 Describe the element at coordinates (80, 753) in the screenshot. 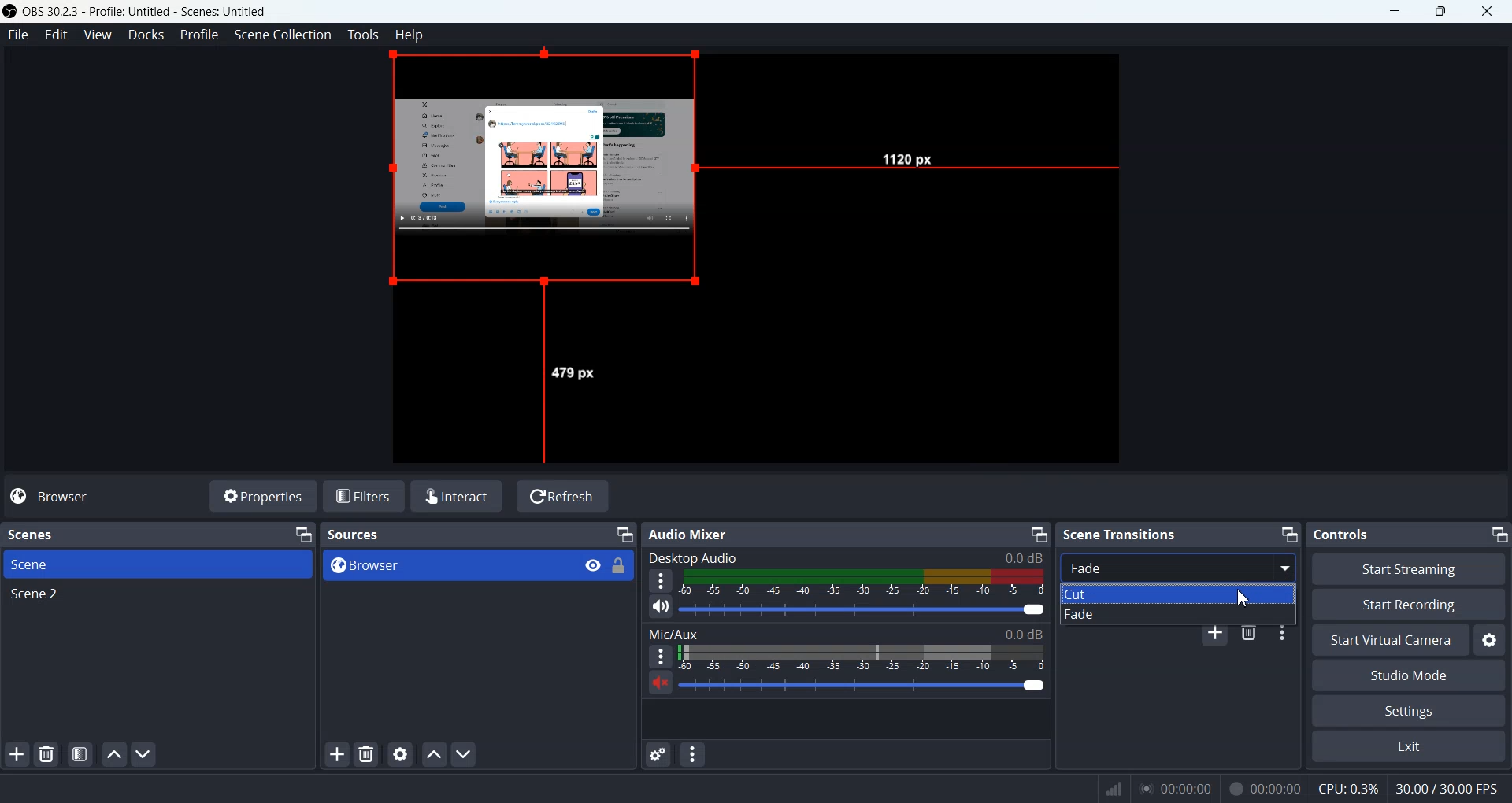

I see `Open scene filters` at that location.